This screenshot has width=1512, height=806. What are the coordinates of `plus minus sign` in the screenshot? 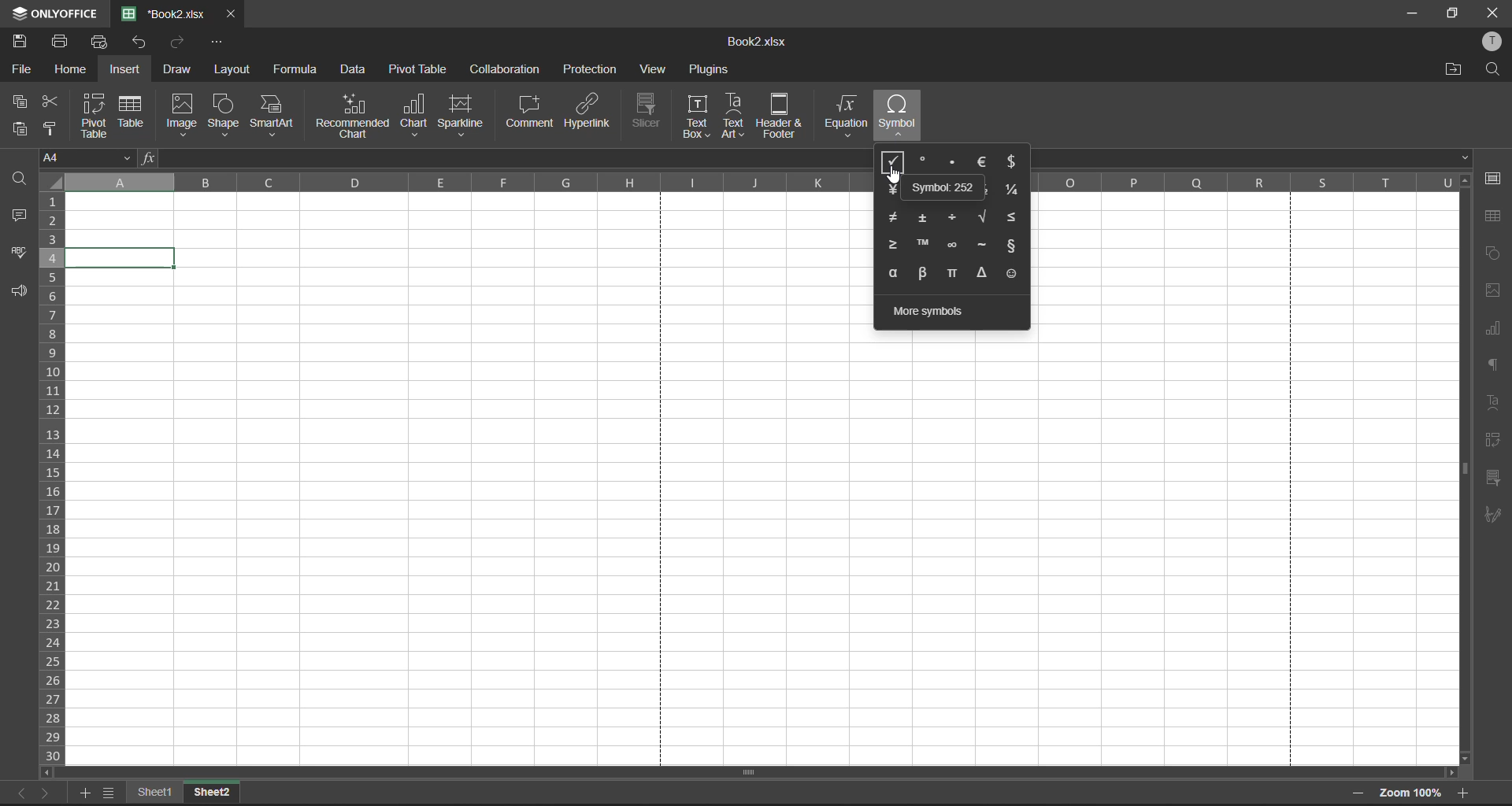 It's located at (924, 216).